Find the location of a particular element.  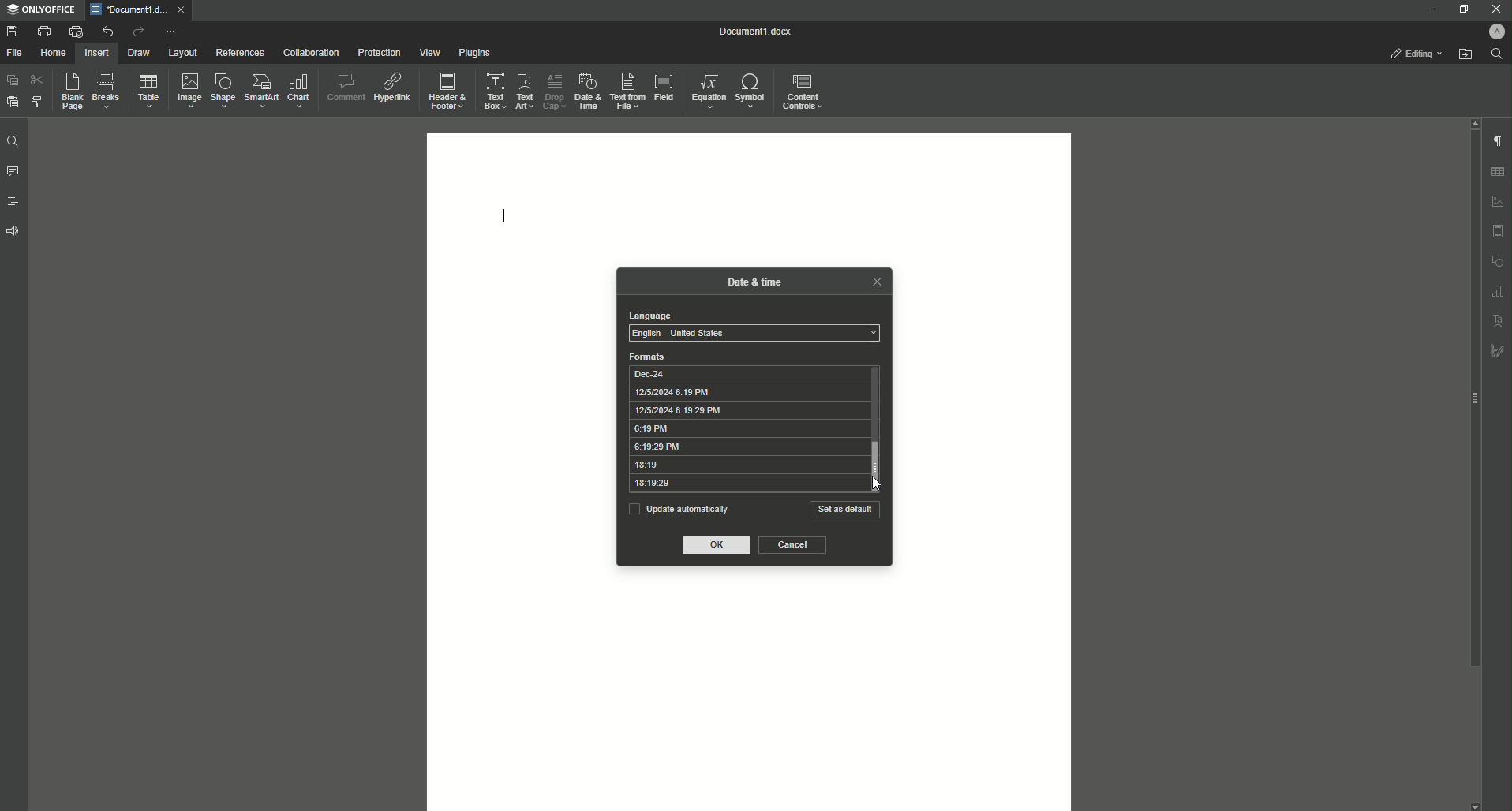

18:19:29 is located at coordinates (745, 484).